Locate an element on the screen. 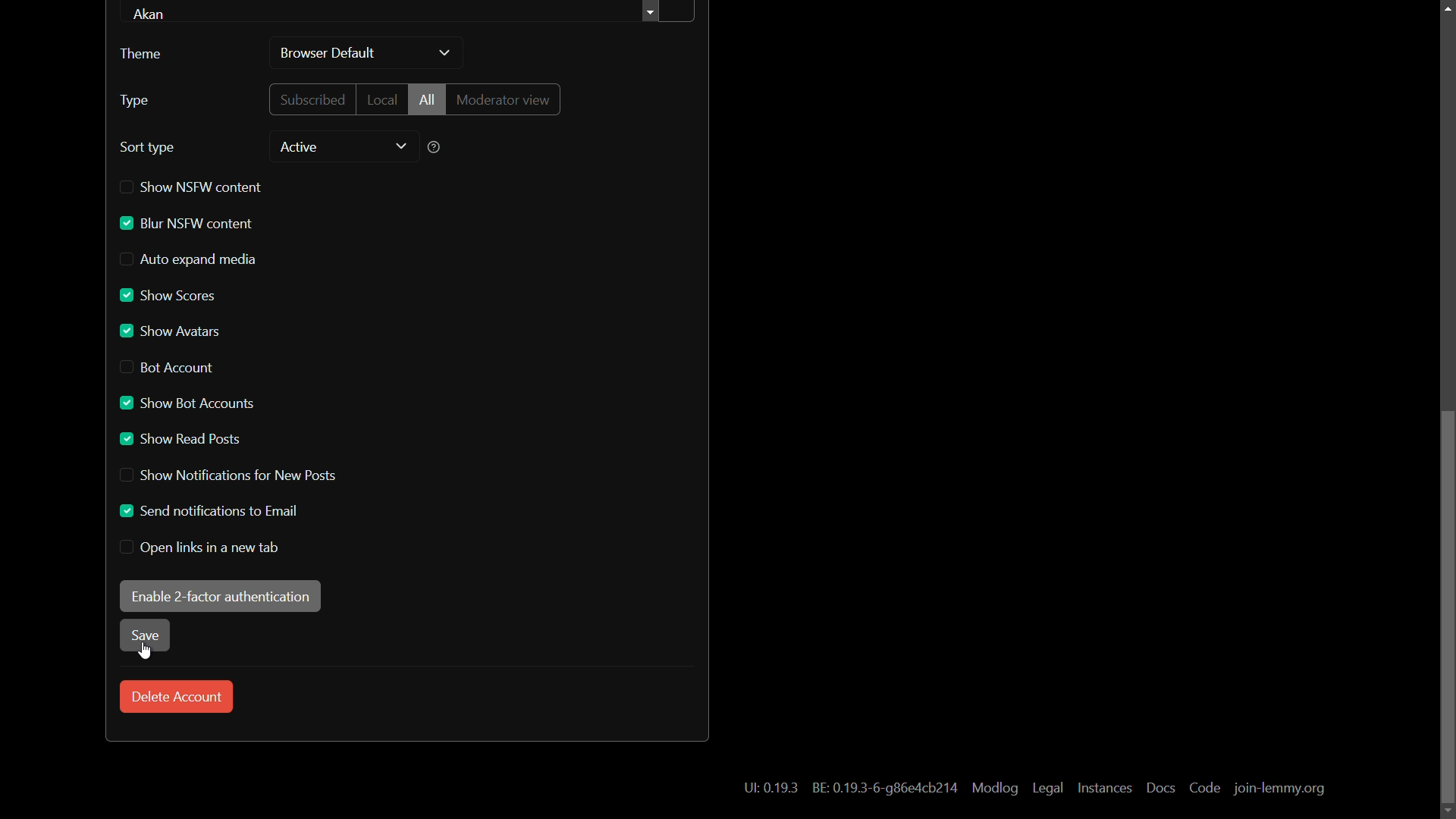 The height and width of the screenshot is (819, 1456). text is located at coordinates (770, 789).